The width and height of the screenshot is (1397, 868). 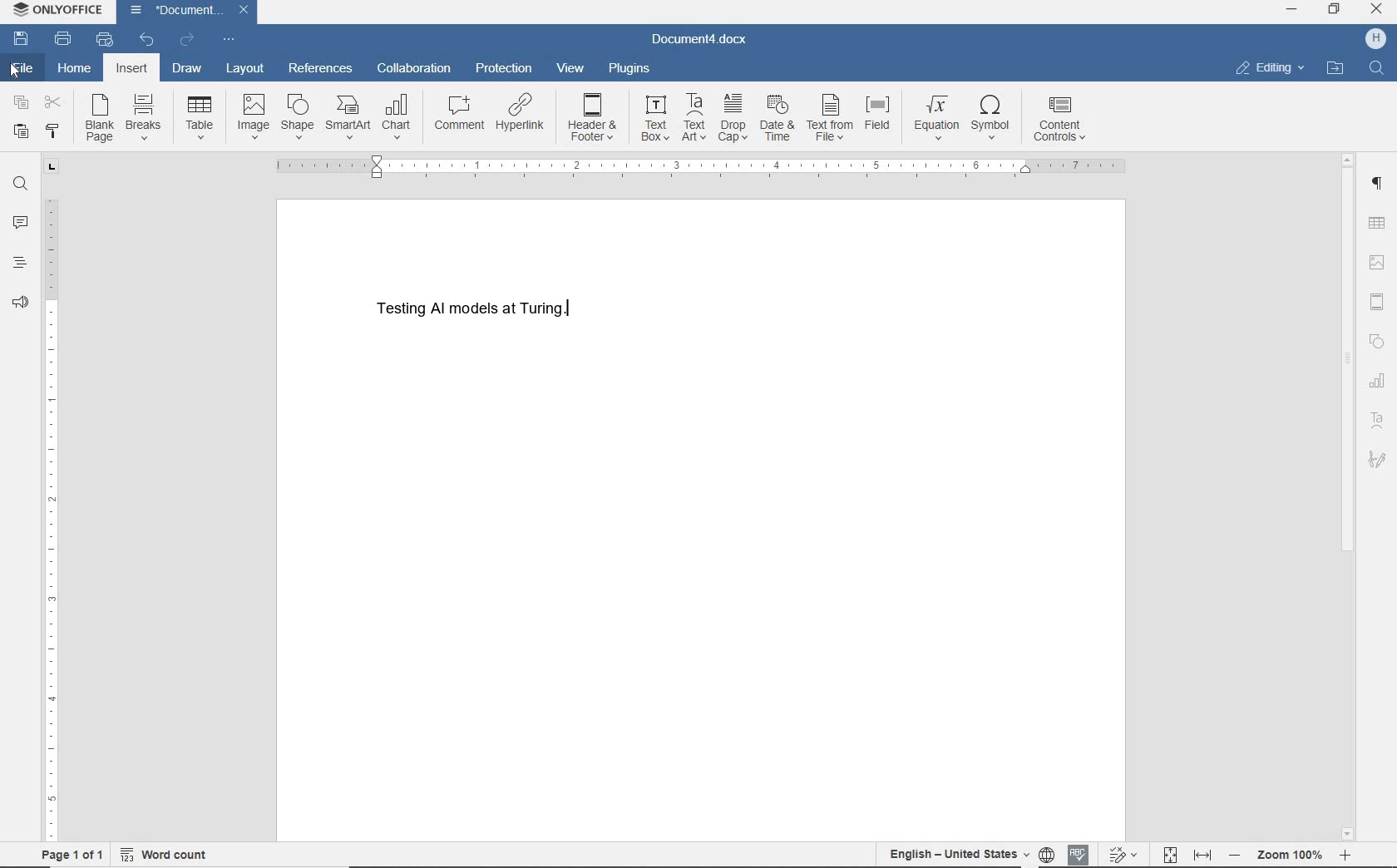 What do you see at coordinates (102, 40) in the screenshot?
I see `quick print` at bounding box center [102, 40].